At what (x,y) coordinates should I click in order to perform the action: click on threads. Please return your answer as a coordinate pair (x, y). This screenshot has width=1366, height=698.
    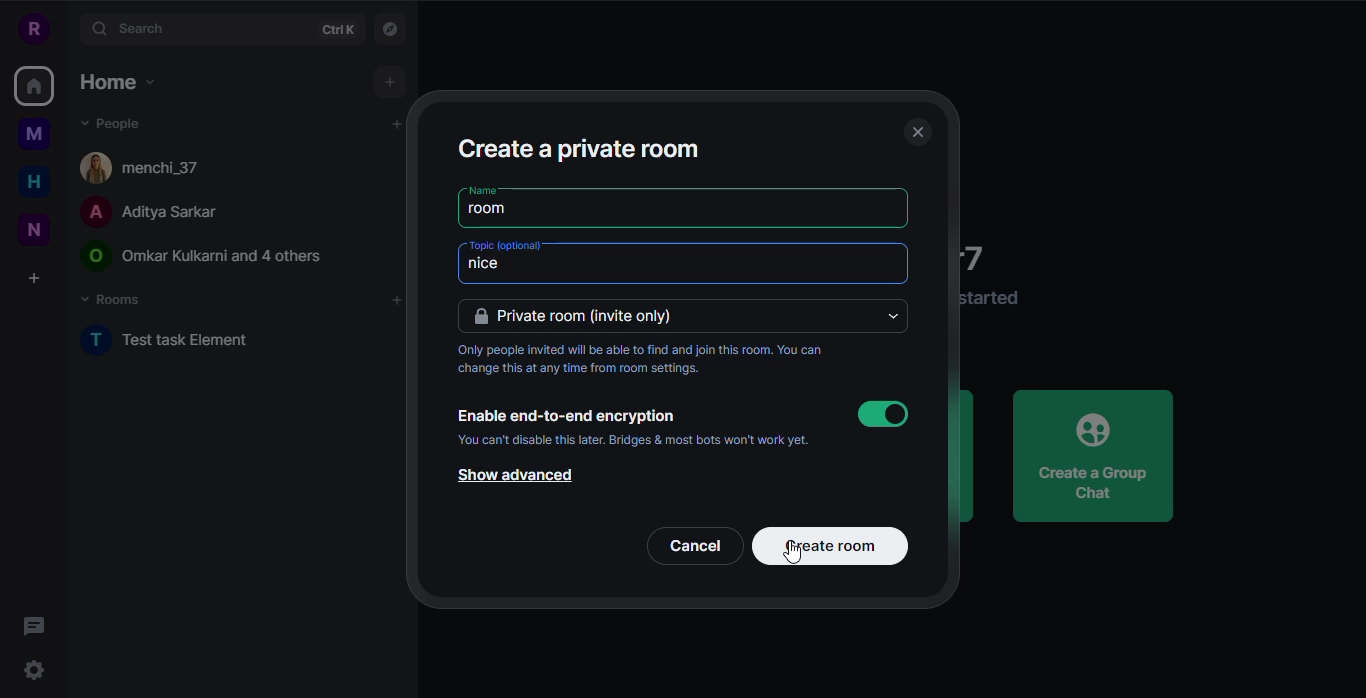
    Looking at the image, I should click on (39, 626).